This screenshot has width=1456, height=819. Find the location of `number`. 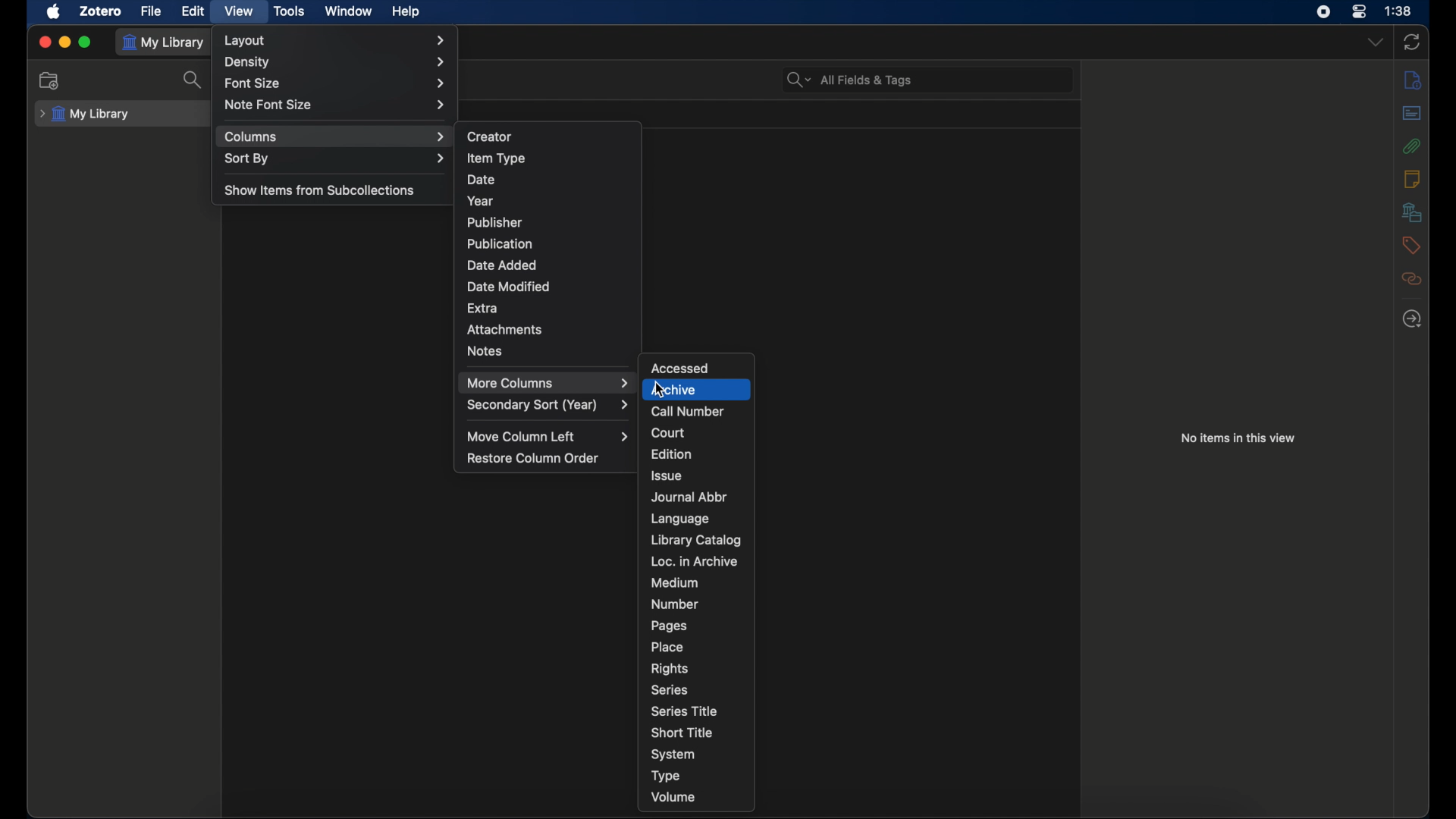

number is located at coordinates (675, 604).